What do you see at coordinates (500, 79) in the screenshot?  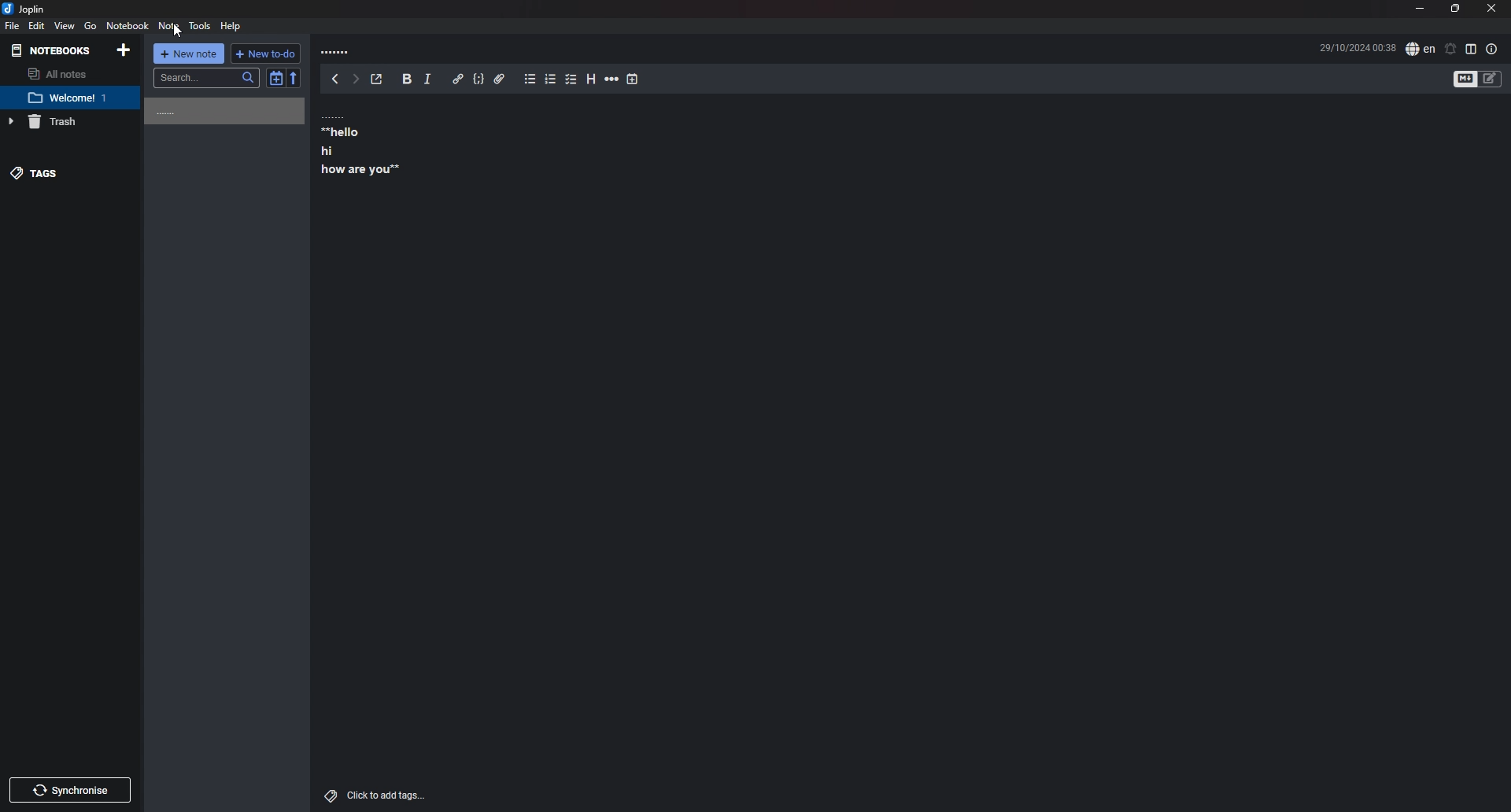 I see `Attachment` at bounding box center [500, 79].